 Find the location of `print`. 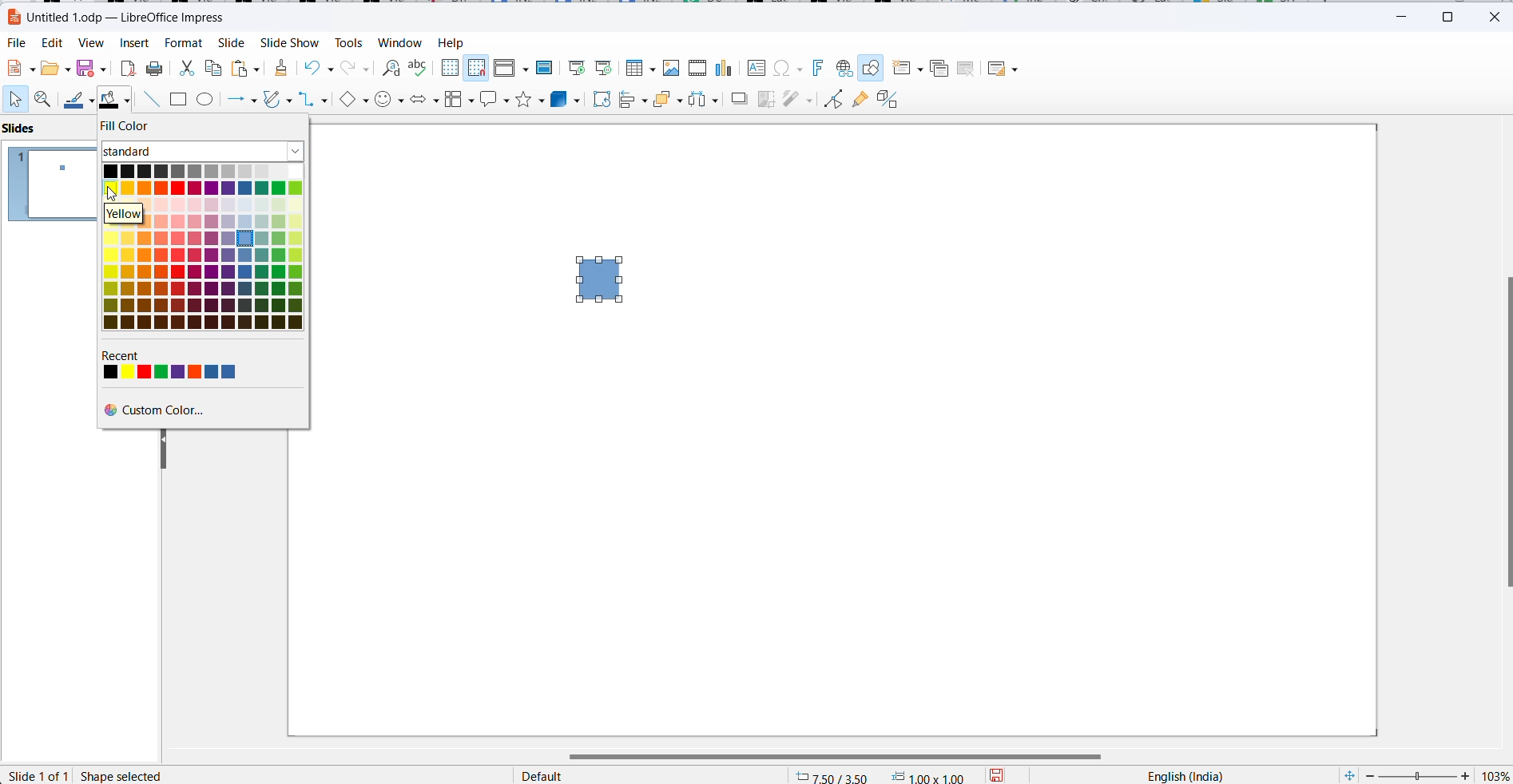

print is located at coordinates (156, 70).